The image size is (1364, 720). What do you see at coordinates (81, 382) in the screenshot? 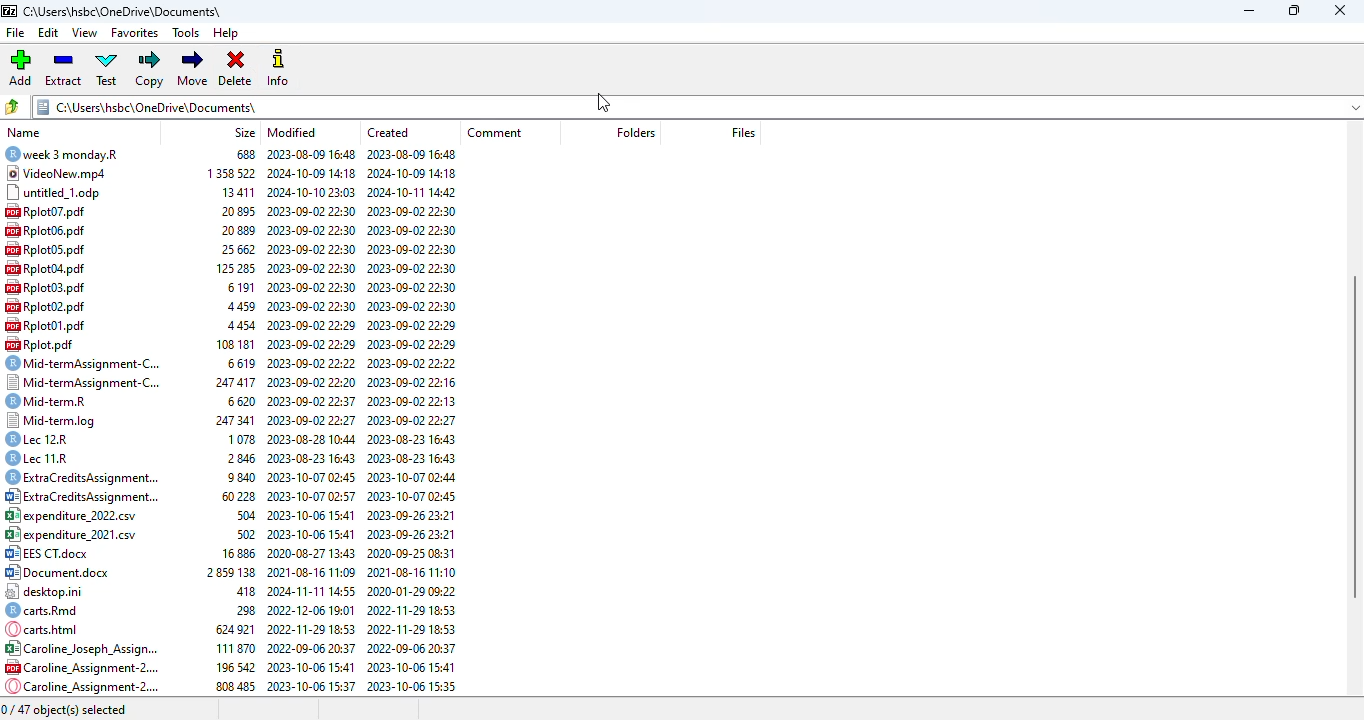
I see ` Mid-termAssignment-C...` at bounding box center [81, 382].